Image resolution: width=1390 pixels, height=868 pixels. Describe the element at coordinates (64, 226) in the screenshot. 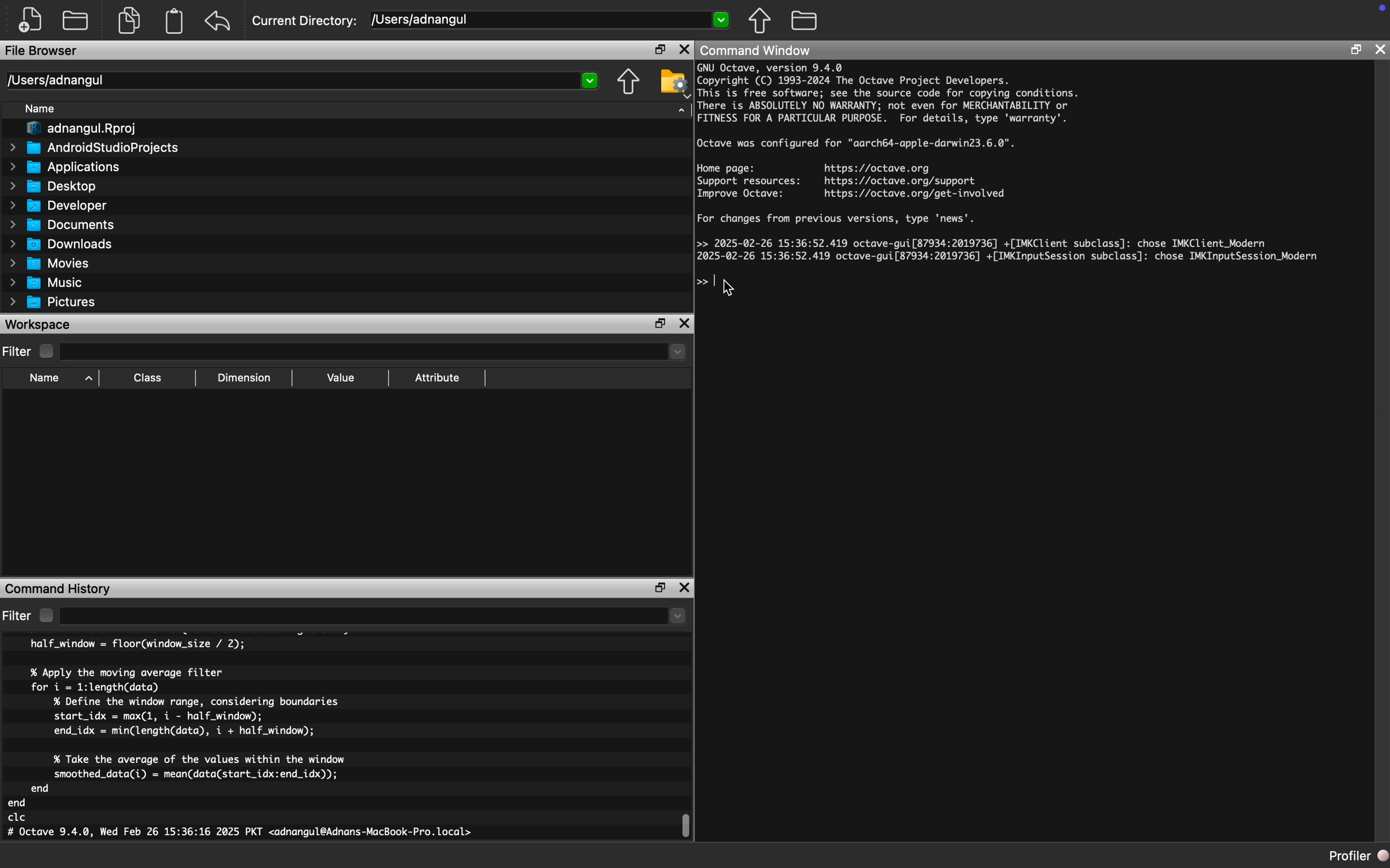

I see `Documents` at that location.